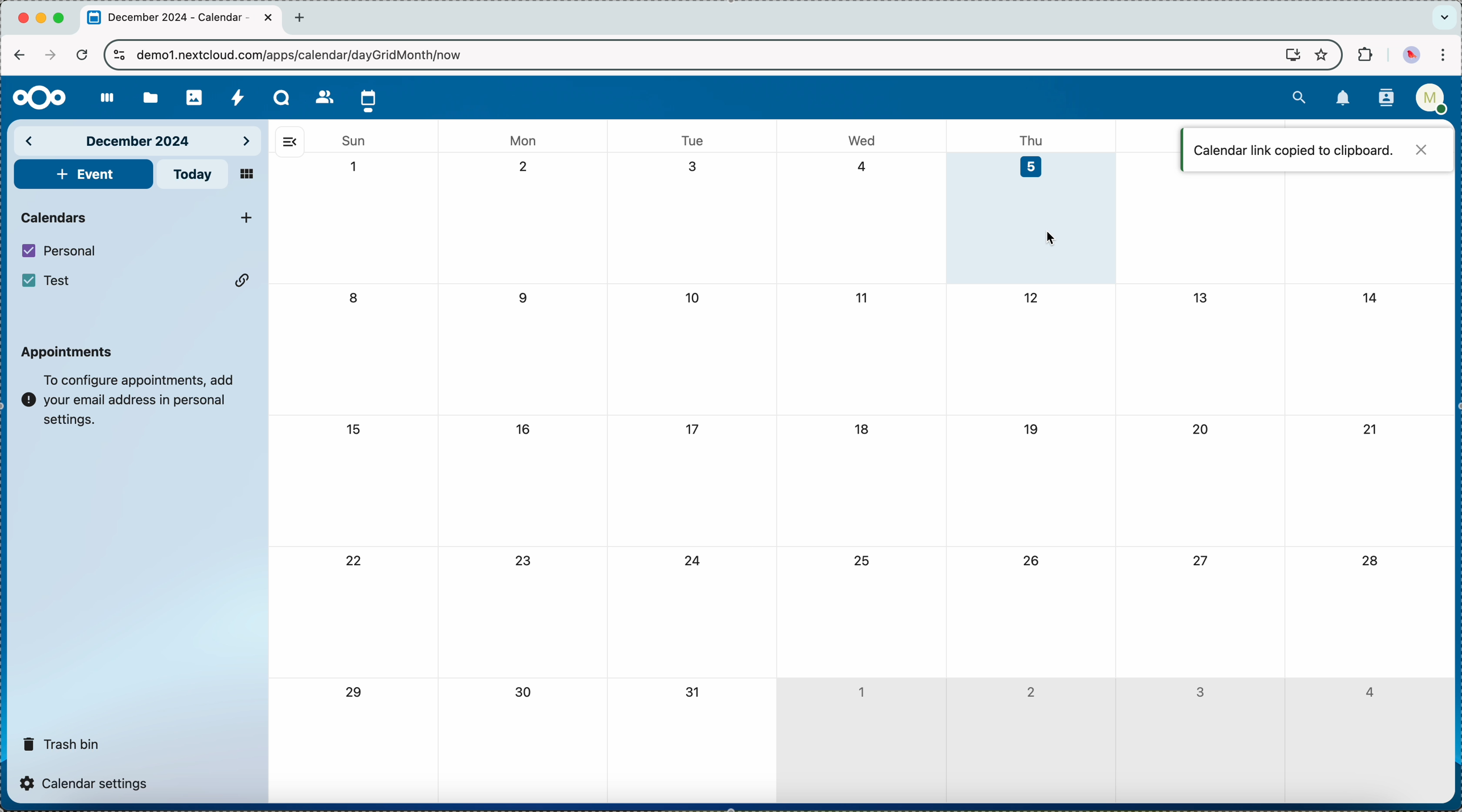 The image size is (1462, 812). Describe the element at coordinates (352, 429) in the screenshot. I see `15` at that location.